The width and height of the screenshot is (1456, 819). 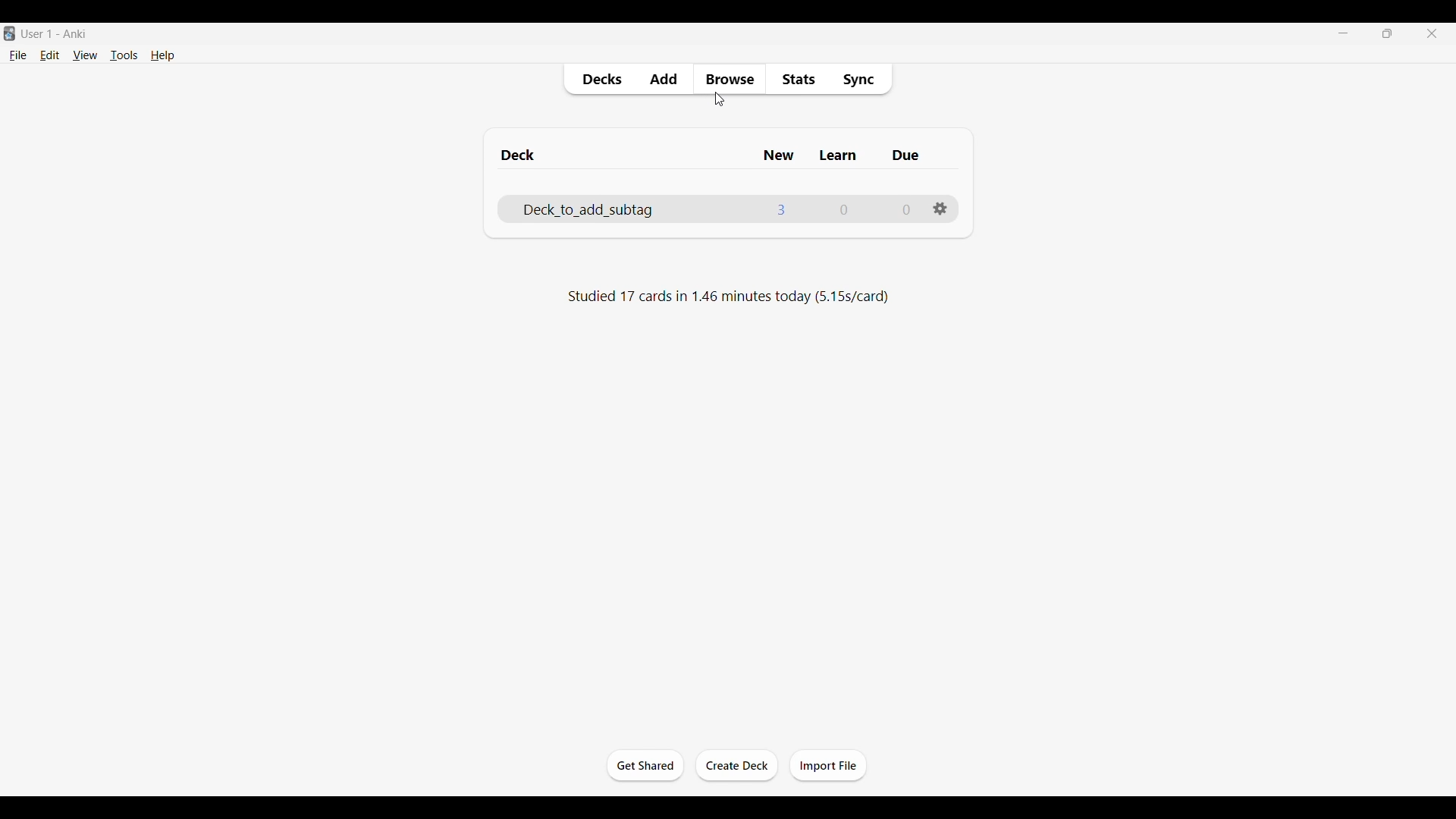 What do you see at coordinates (797, 79) in the screenshot?
I see `Stats` at bounding box center [797, 79].